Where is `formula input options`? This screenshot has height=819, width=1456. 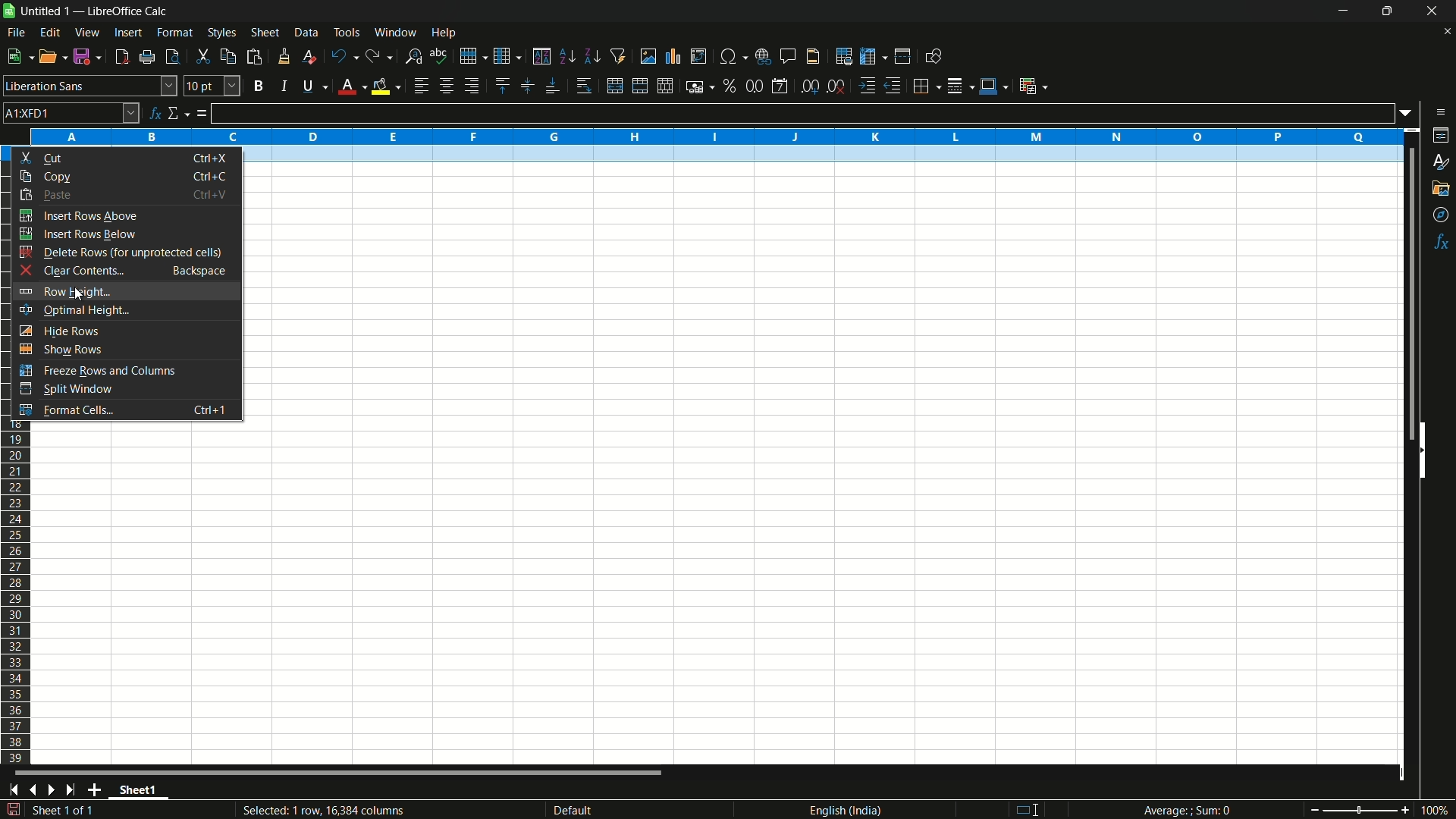 formula input options is located at coordinates (1410, 112).